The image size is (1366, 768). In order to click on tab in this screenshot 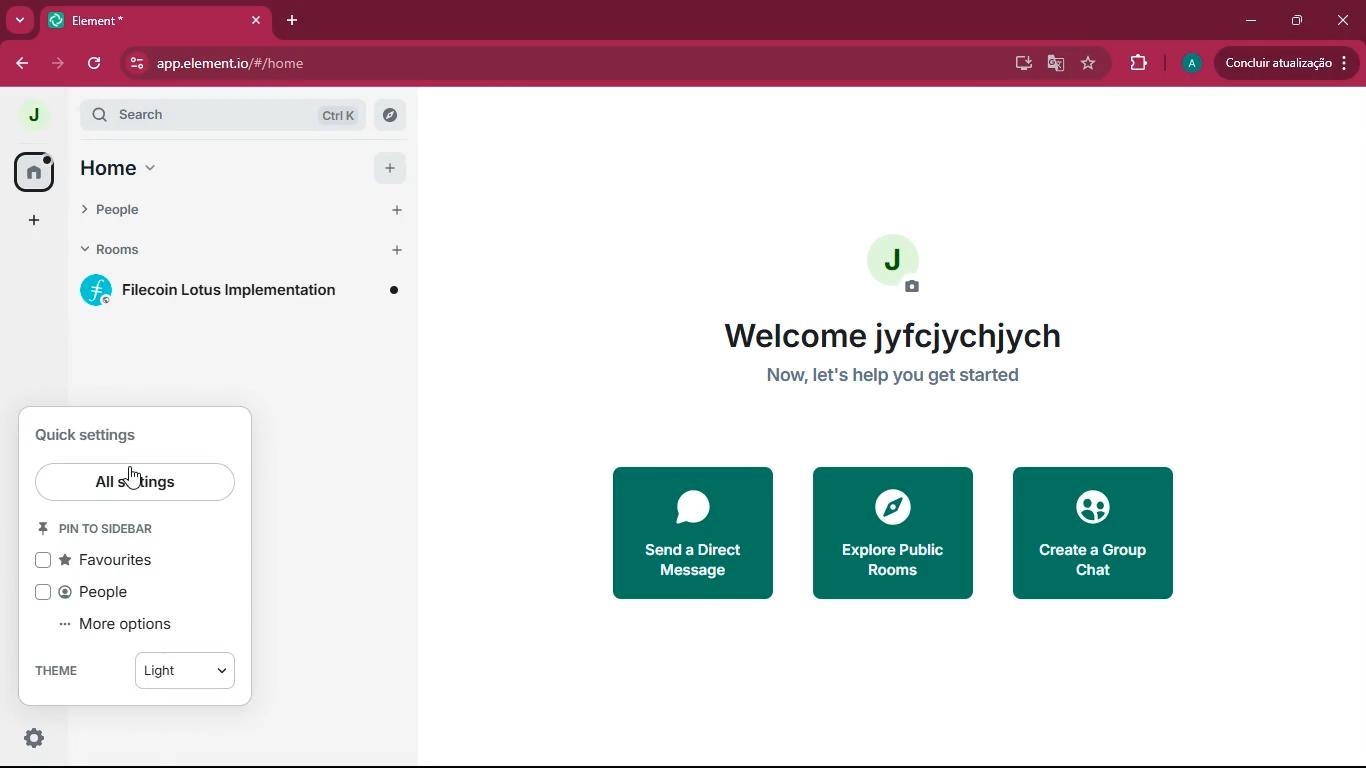, I will do `click(153, 20)`.